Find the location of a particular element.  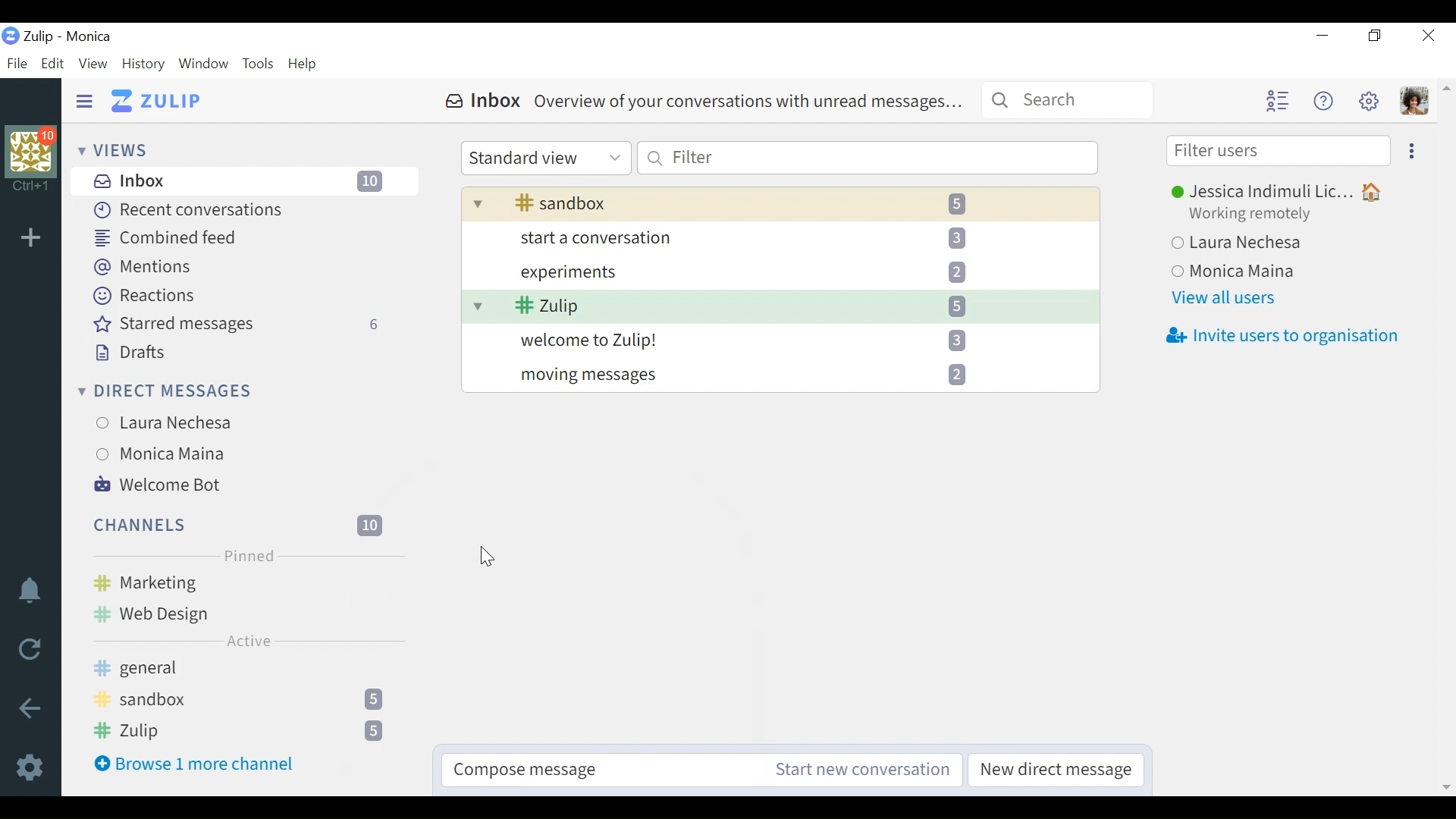

Back is located at coordinates (30, 710).